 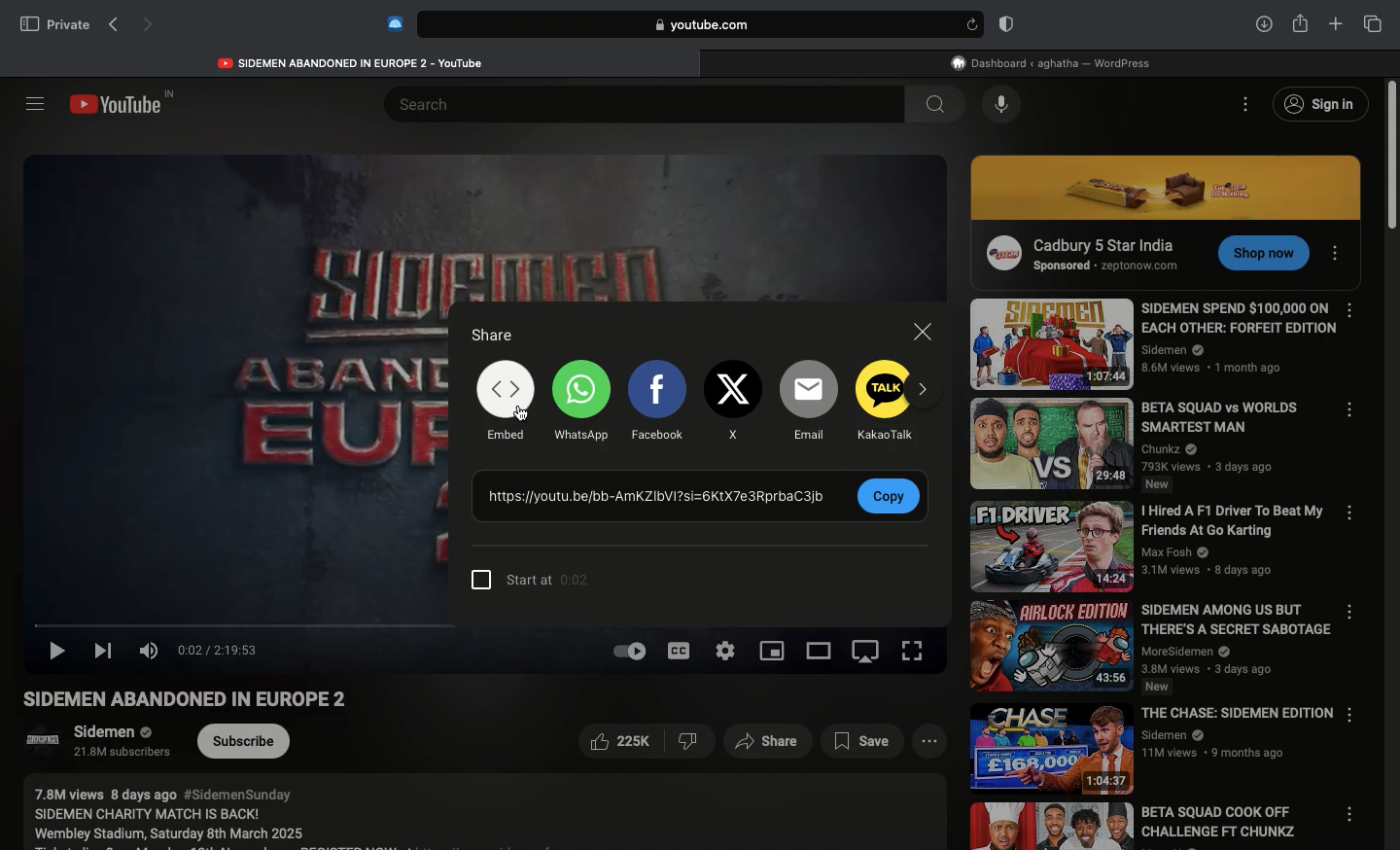 What do you see at coordinates (626, 103) in the screenshot?
I see `Search bar` at bounding box center [626, 103].